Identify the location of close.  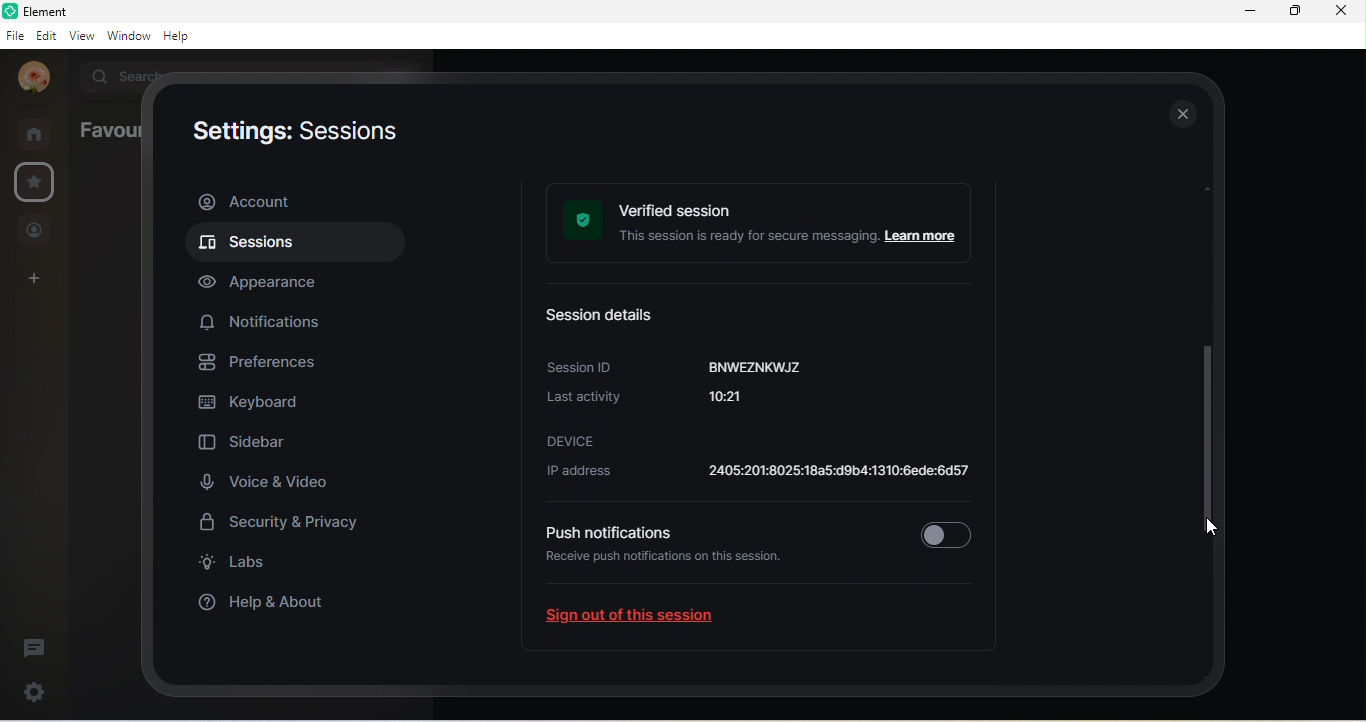
(1339, 11).